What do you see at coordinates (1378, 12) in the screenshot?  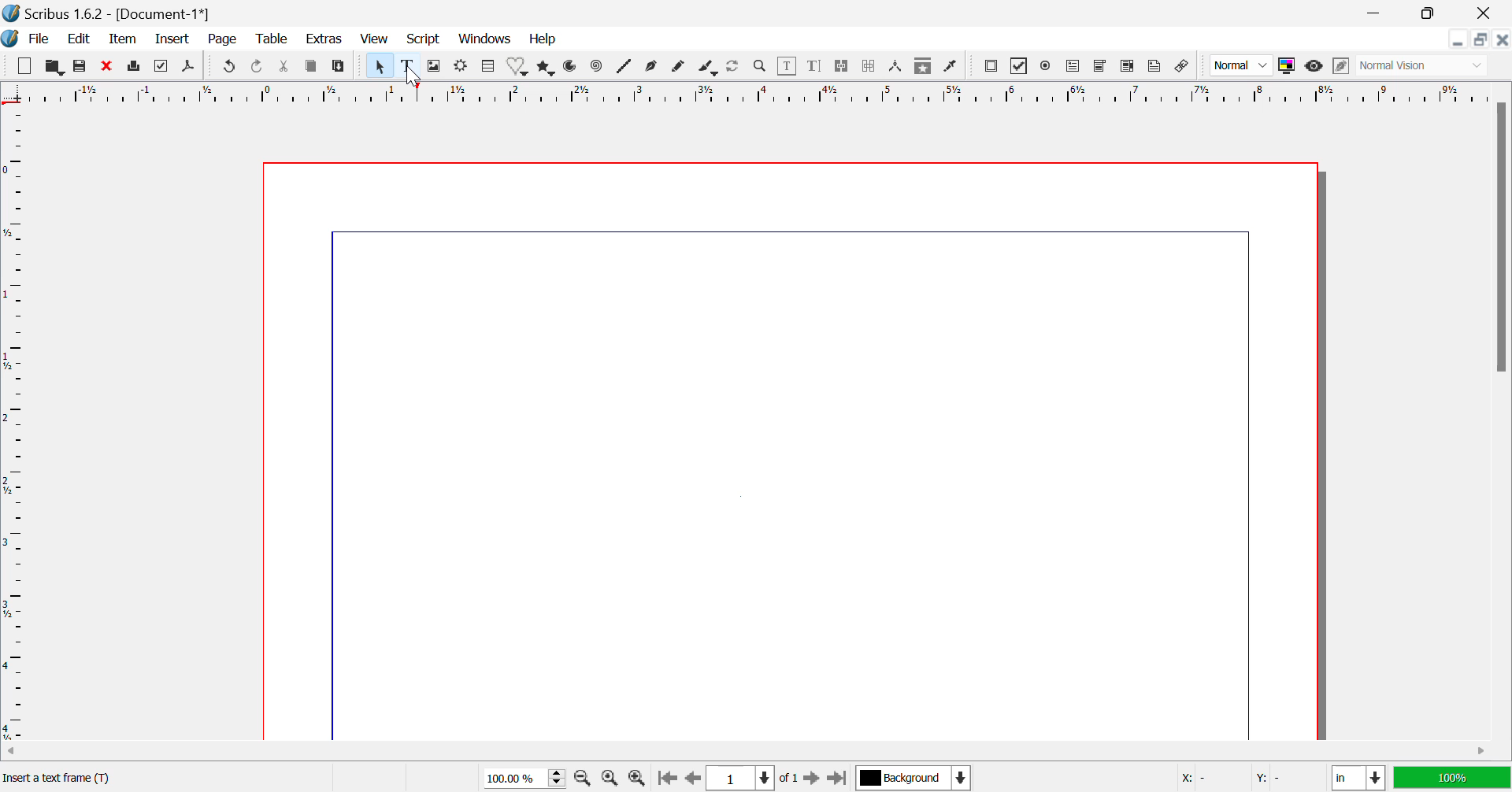 I see `Restore Down` at bounding box center [1378, 12].